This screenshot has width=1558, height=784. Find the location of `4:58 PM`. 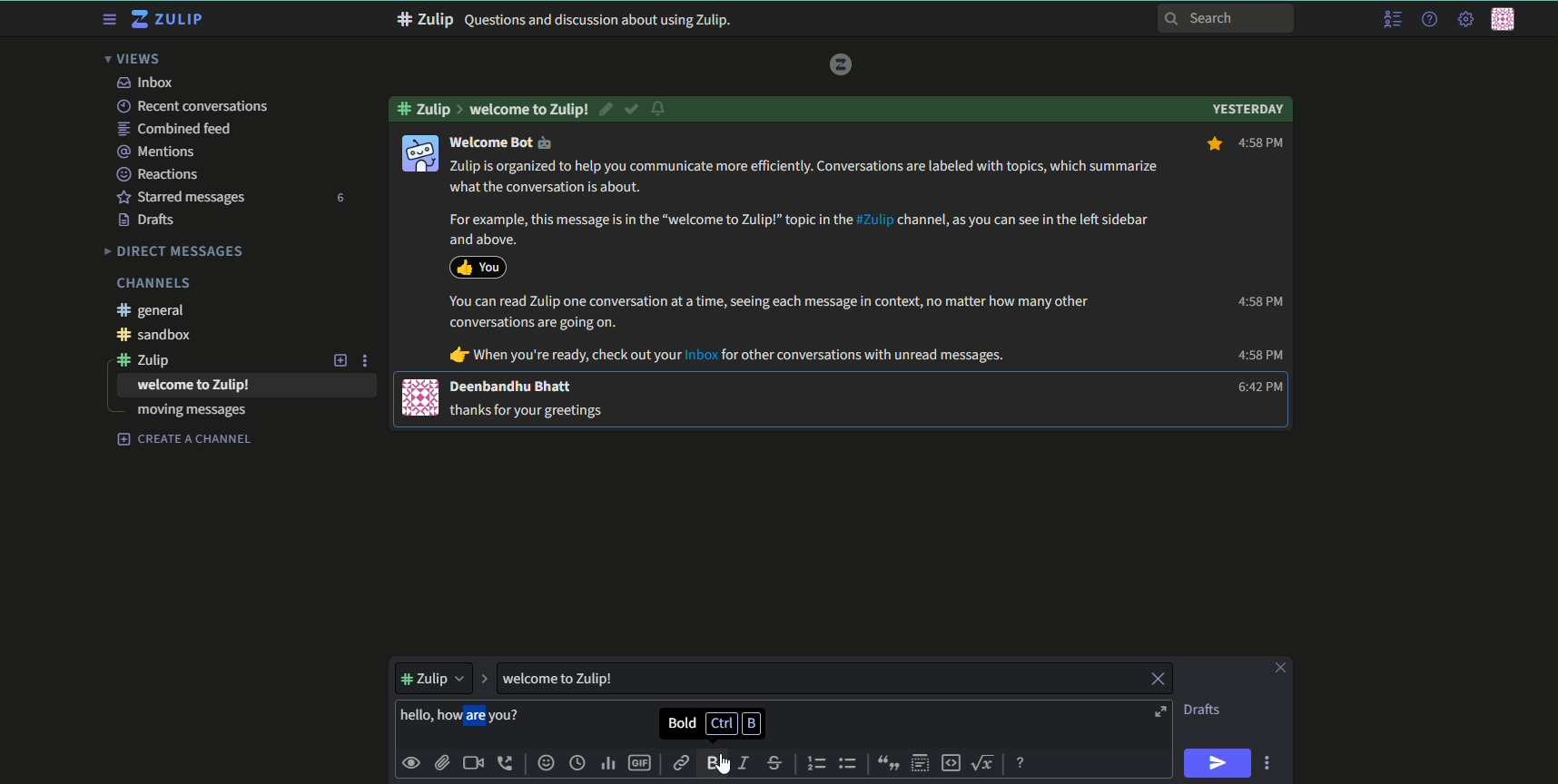

4:58 PM is located at coordinates (1260, 356).